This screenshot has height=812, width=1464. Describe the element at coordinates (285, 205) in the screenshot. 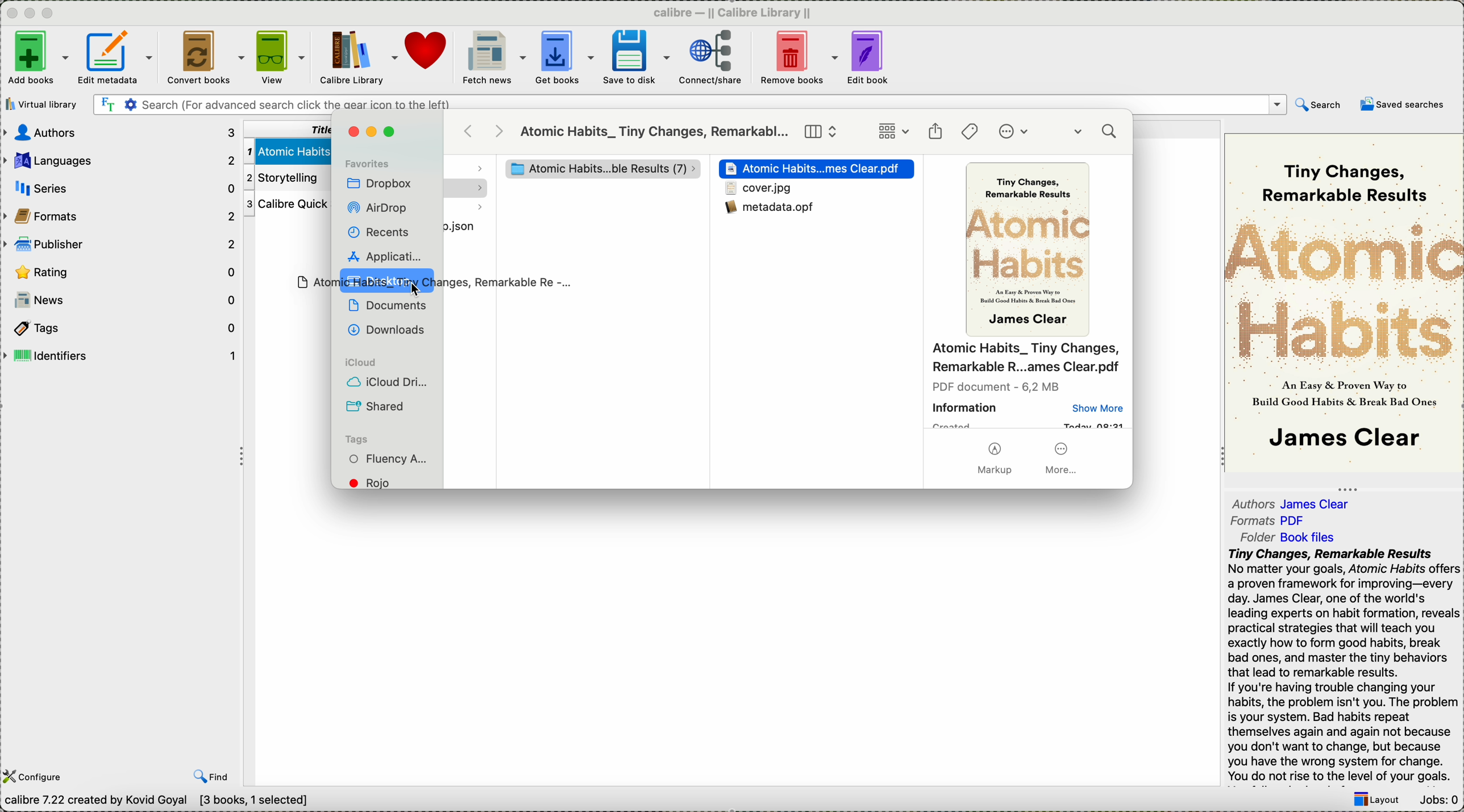

I see `third book` at that location.